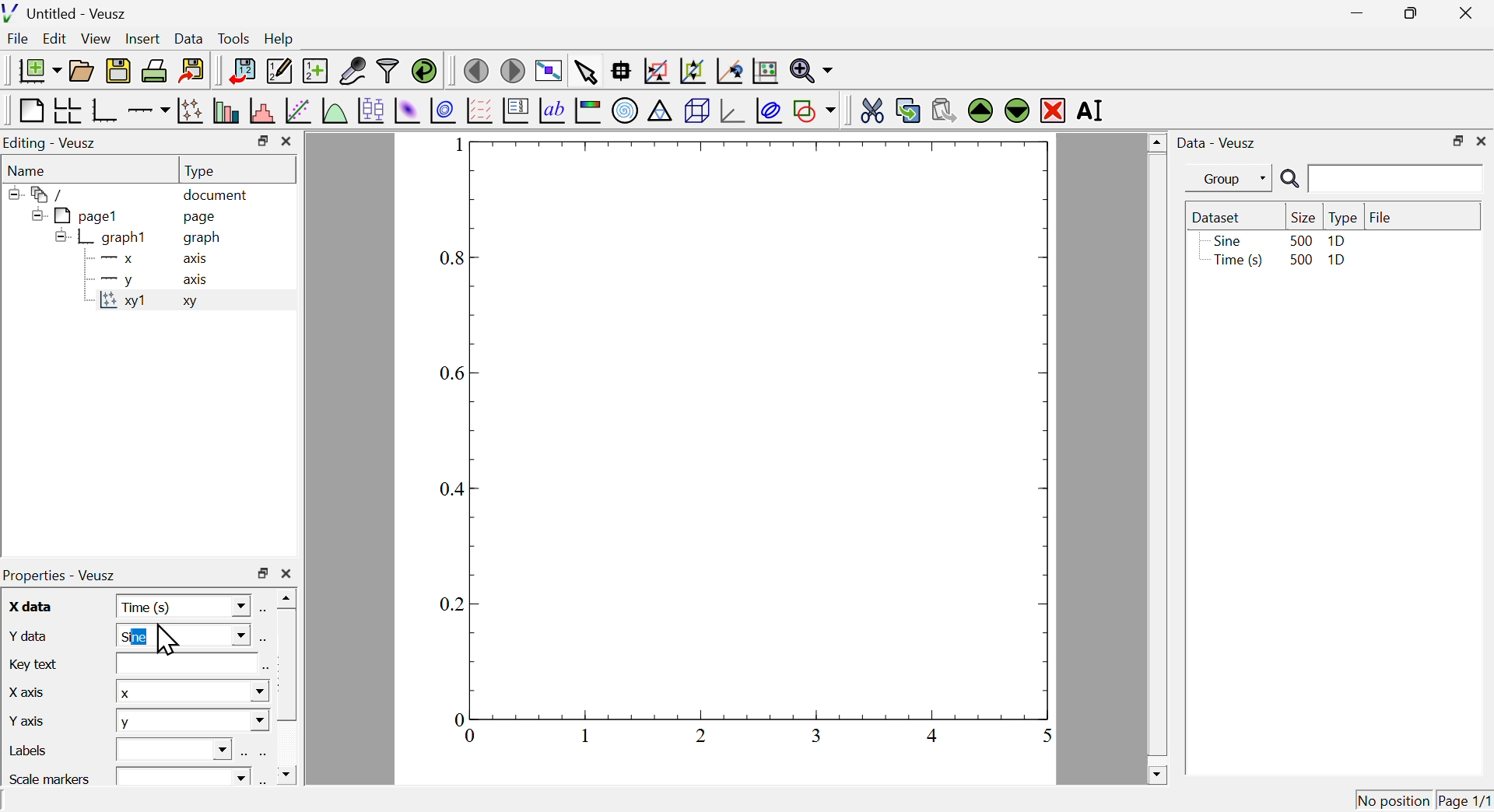 The image size is (1494, 812). Describe the element at coordinates (103, 238) in the screenshot. I see `graph1` at that location.